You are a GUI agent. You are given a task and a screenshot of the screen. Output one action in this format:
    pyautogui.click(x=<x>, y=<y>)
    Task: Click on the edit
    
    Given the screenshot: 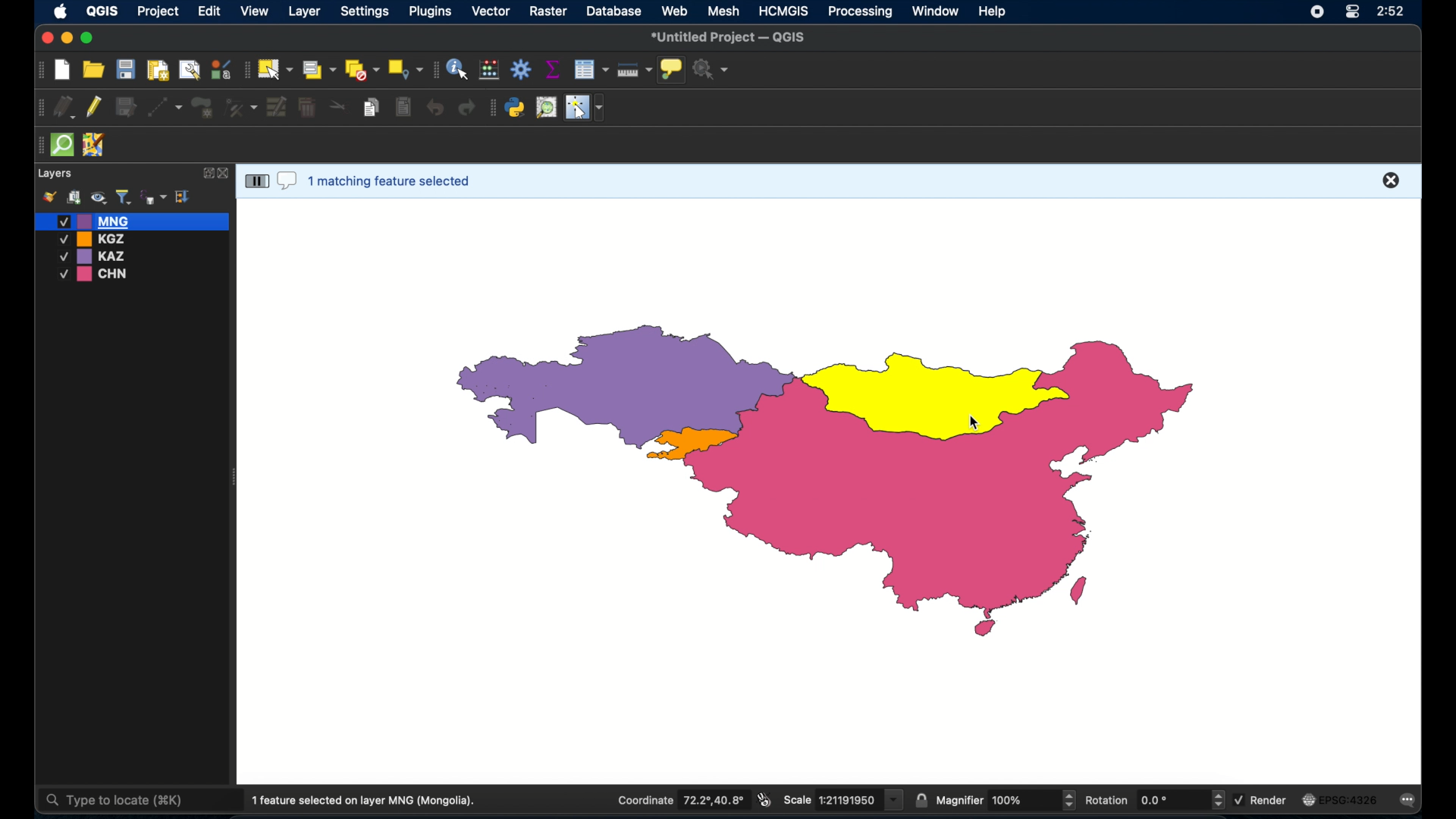 What is the action you would take?
    pyautogui.click(x=209, y=12)
    